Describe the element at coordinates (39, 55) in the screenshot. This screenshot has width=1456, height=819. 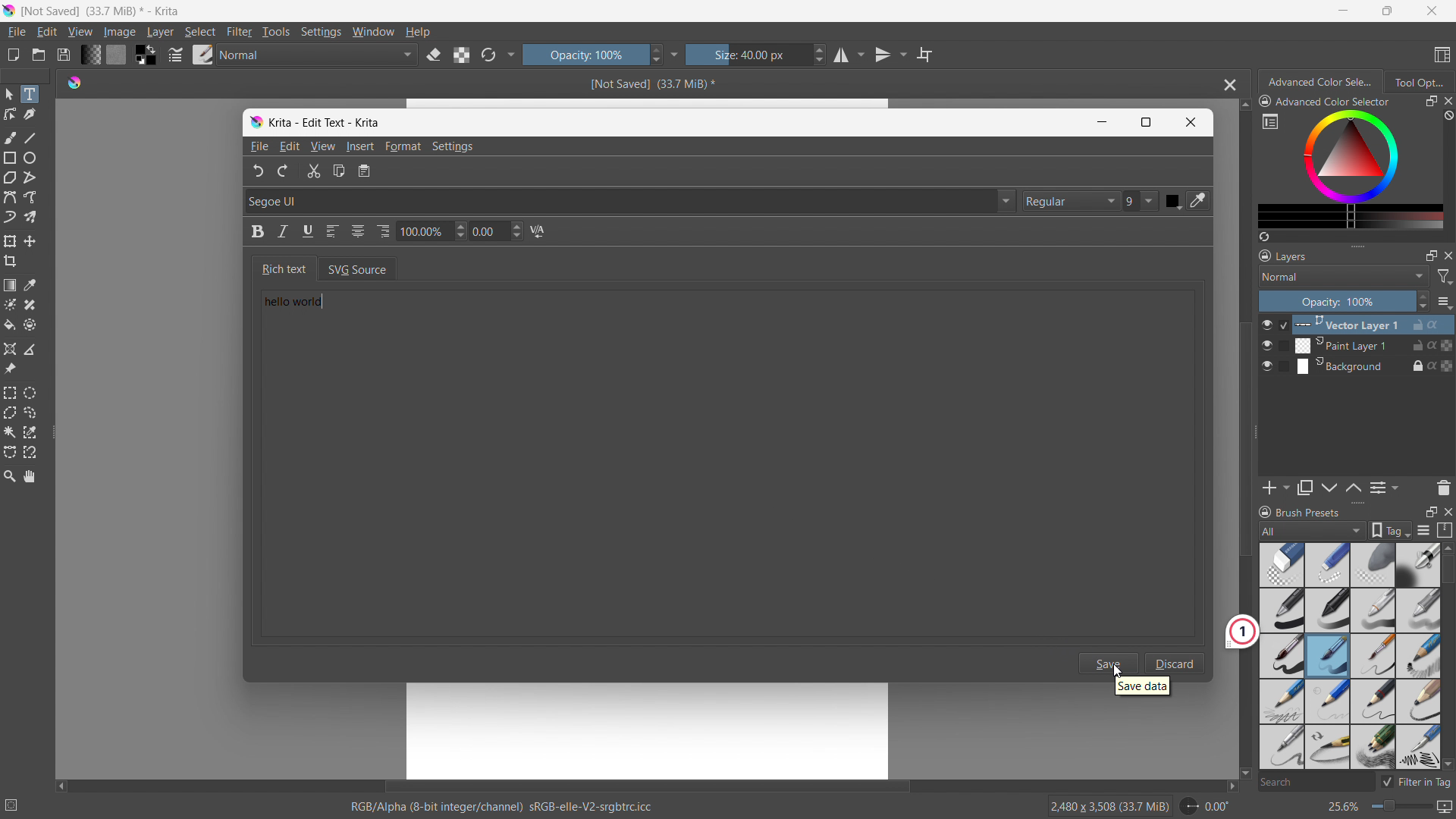
I see `open` at that location.